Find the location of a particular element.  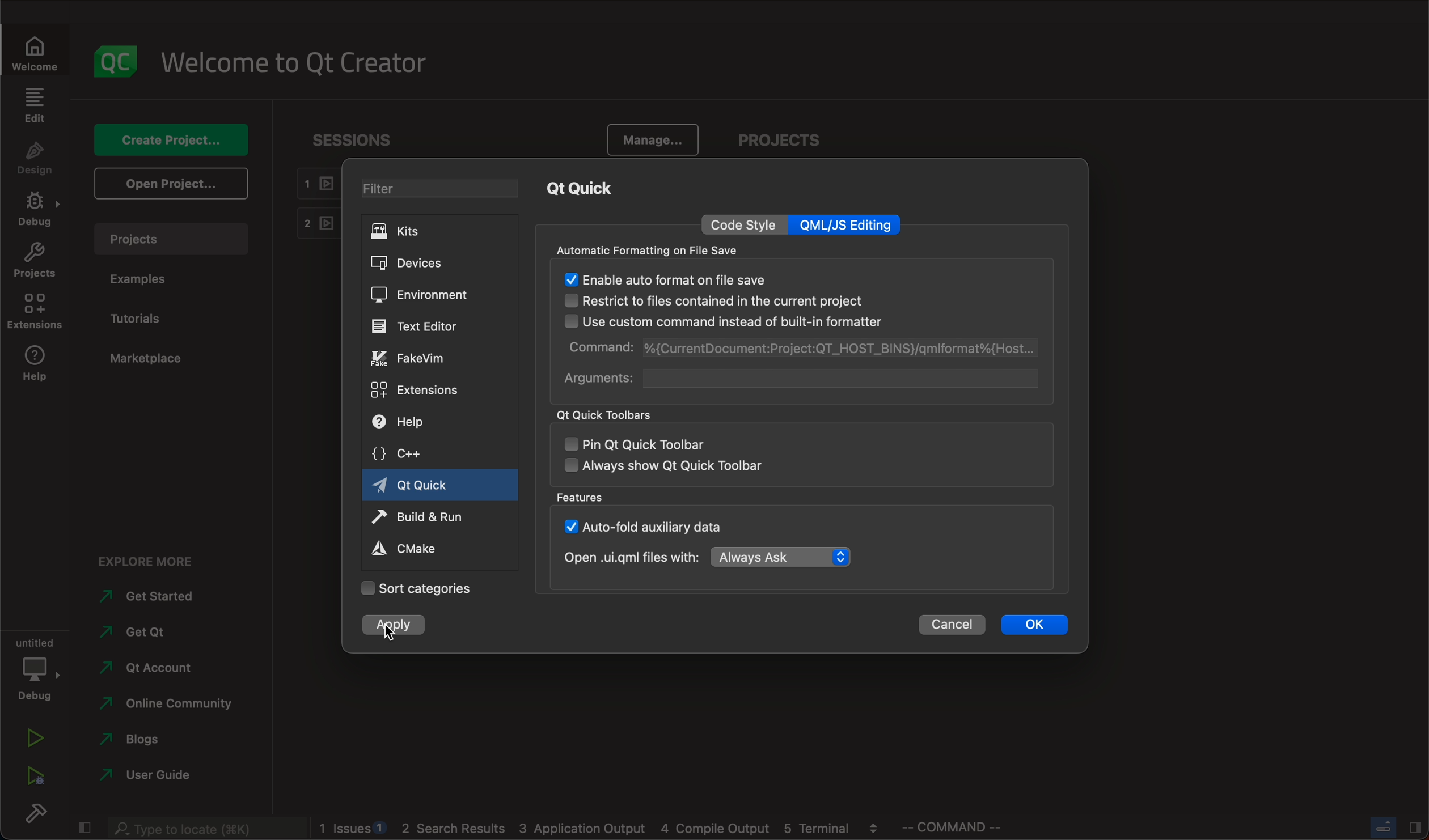

account is located at coordinates (148, 667).